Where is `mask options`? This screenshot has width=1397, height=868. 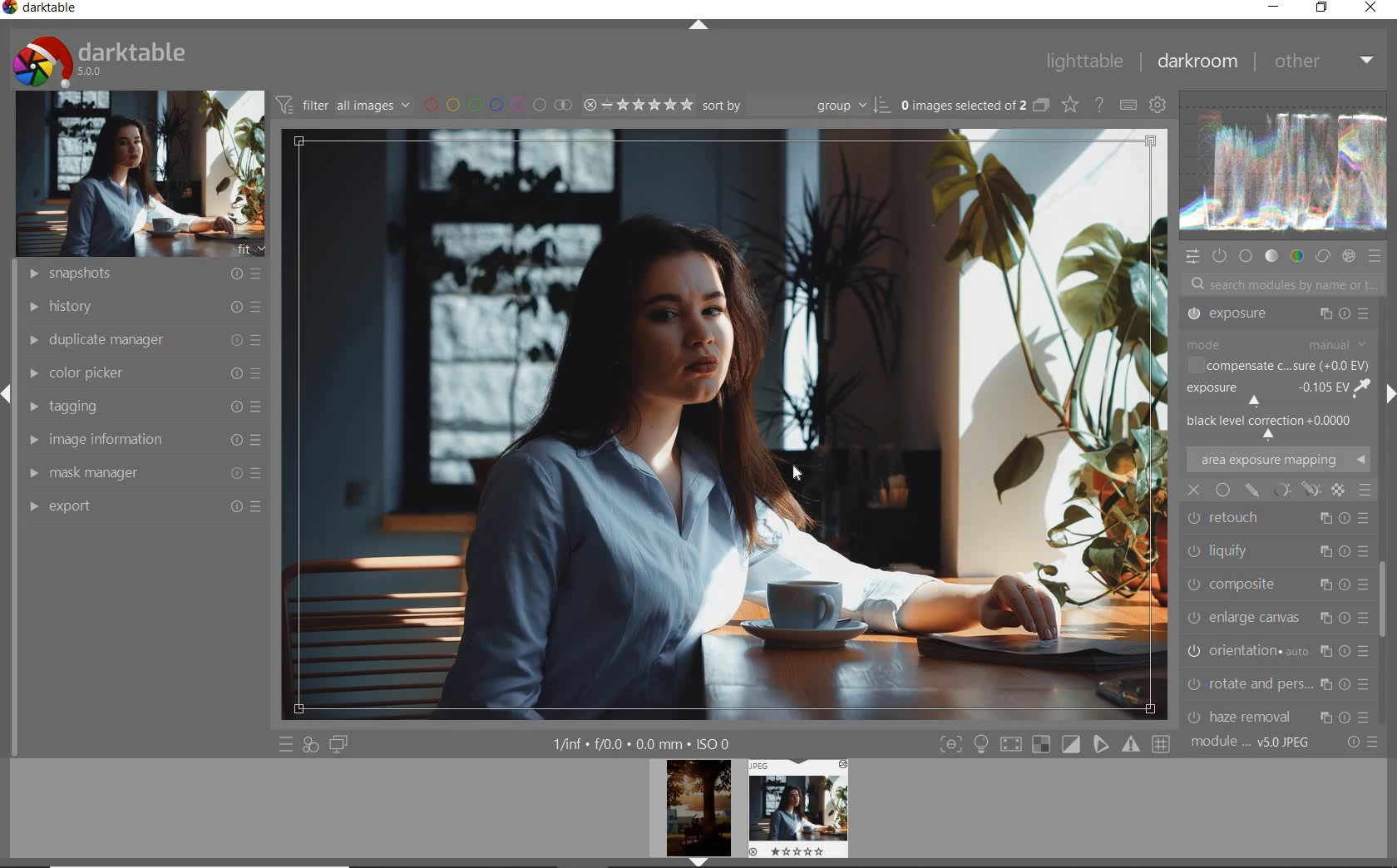 mask options is located at coordinates (1294, 489).